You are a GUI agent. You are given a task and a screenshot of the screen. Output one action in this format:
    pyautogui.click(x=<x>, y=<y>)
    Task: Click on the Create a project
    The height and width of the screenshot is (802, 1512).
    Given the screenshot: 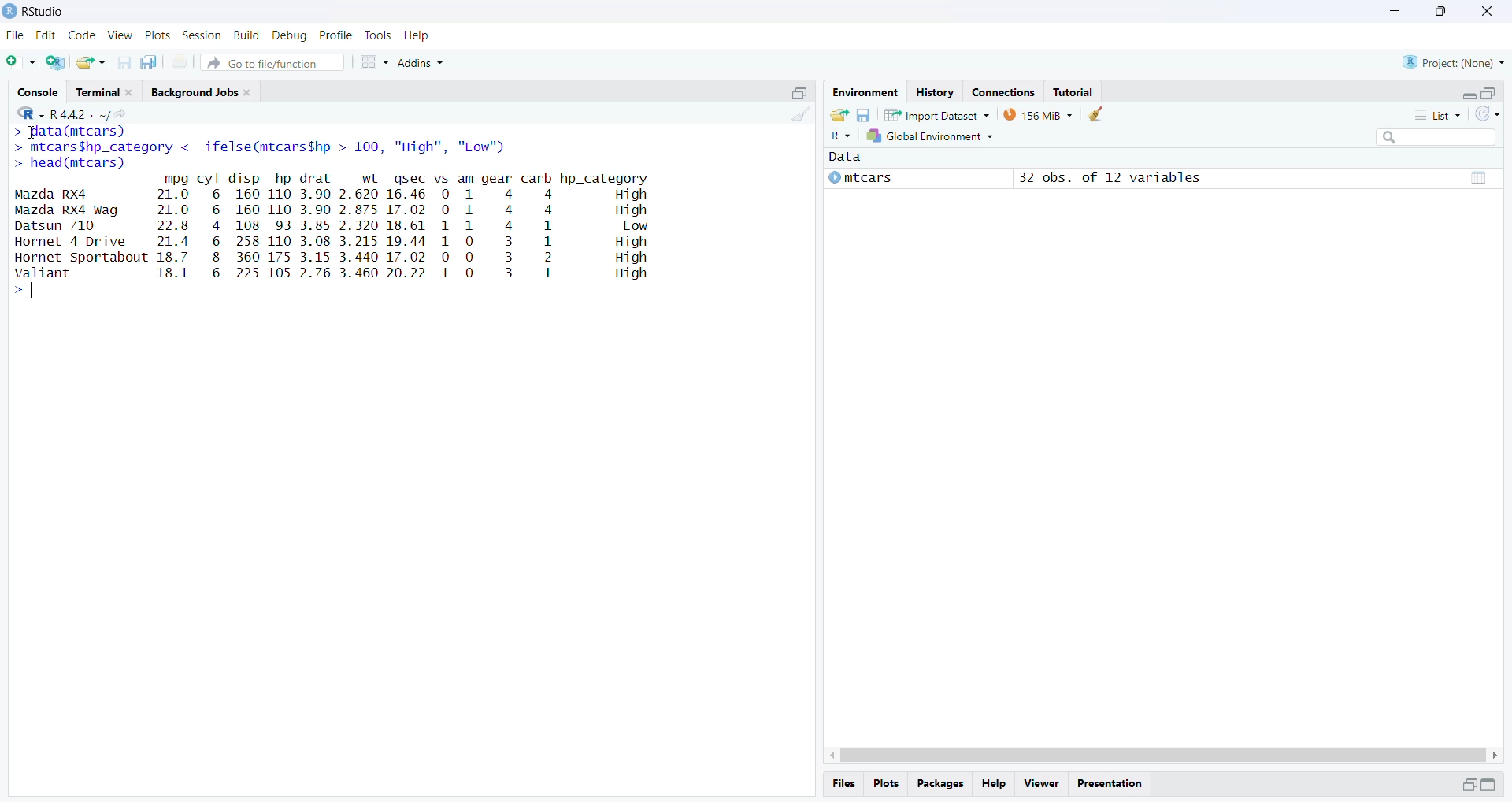 What is the action you would take?
    pyautogui.click(x=56, y=61)
    